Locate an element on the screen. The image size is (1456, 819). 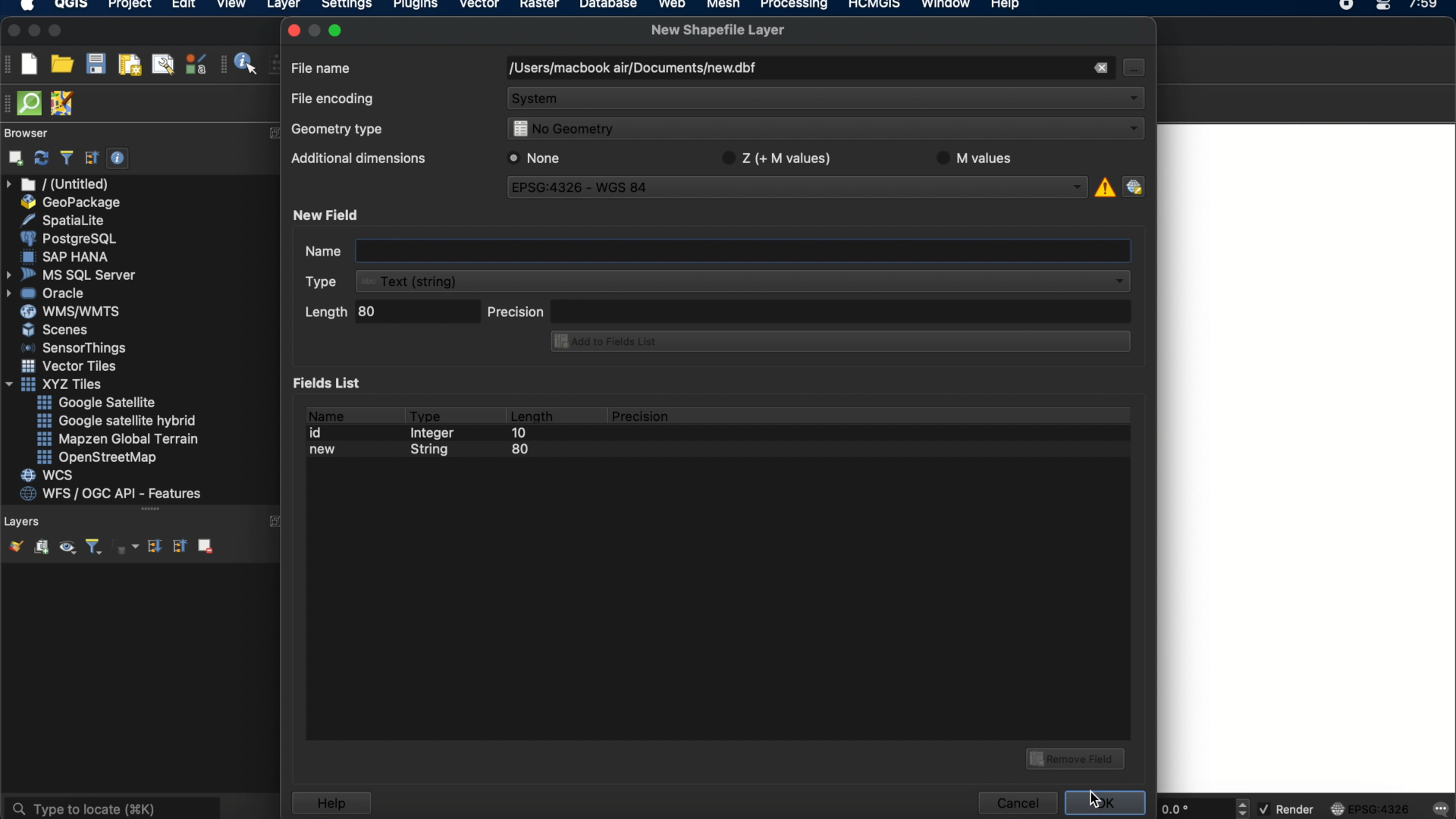
hidden toolbar is located at coordinates (9, 102).